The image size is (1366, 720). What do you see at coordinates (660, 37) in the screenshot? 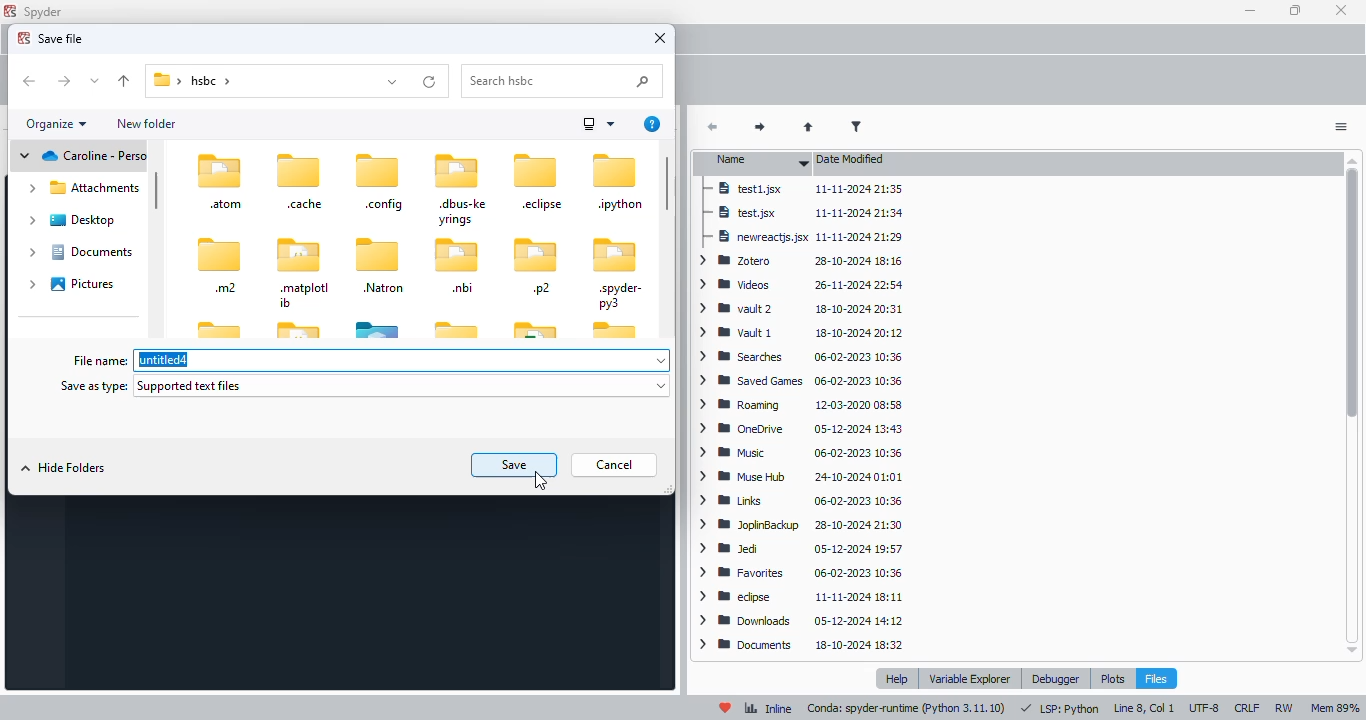
I see `close` at bounding box center [660, 37].